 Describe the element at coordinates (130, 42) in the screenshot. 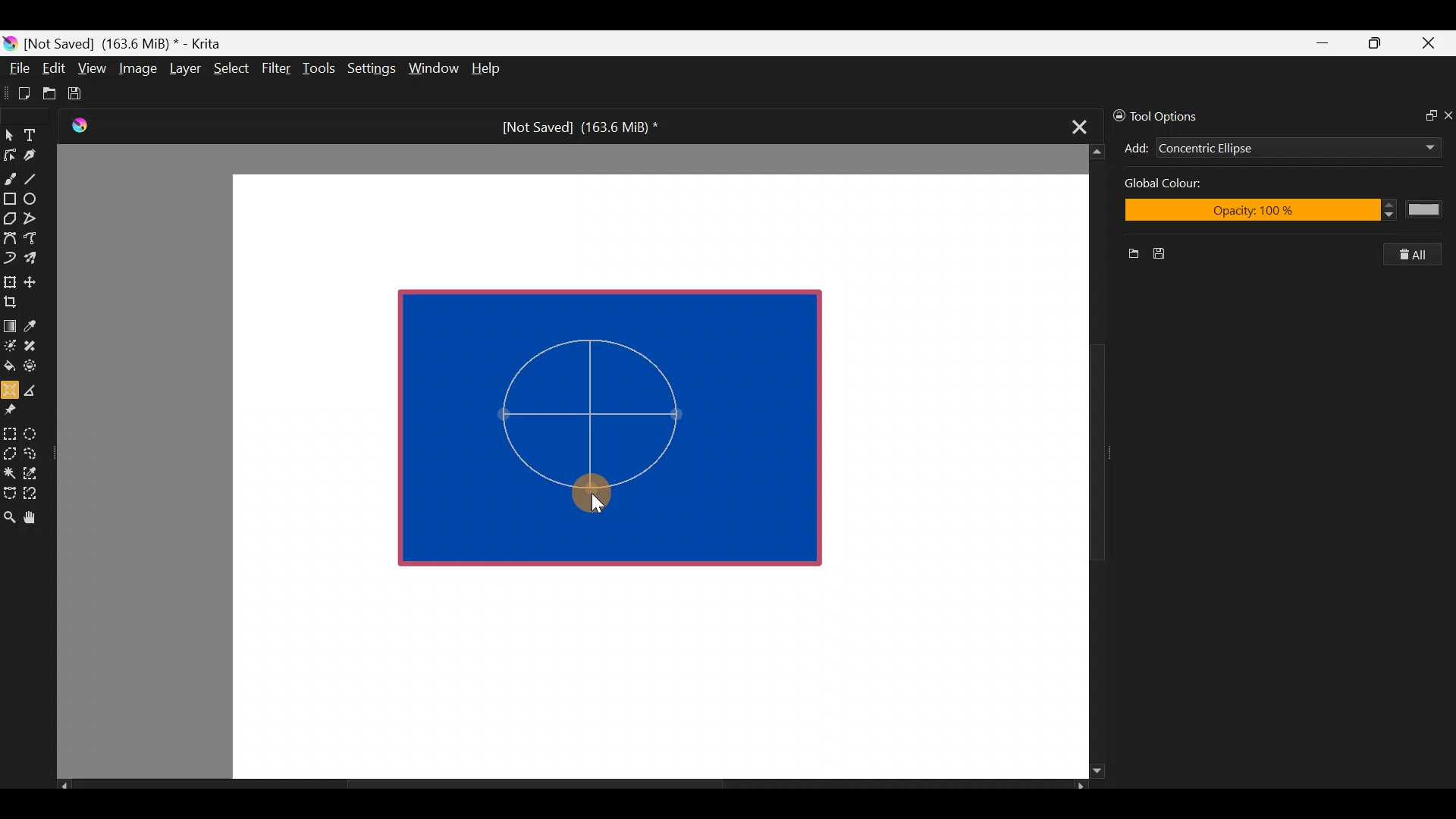

I see `[Not Saved] (163.6 MiB) * - Krita` at that location.